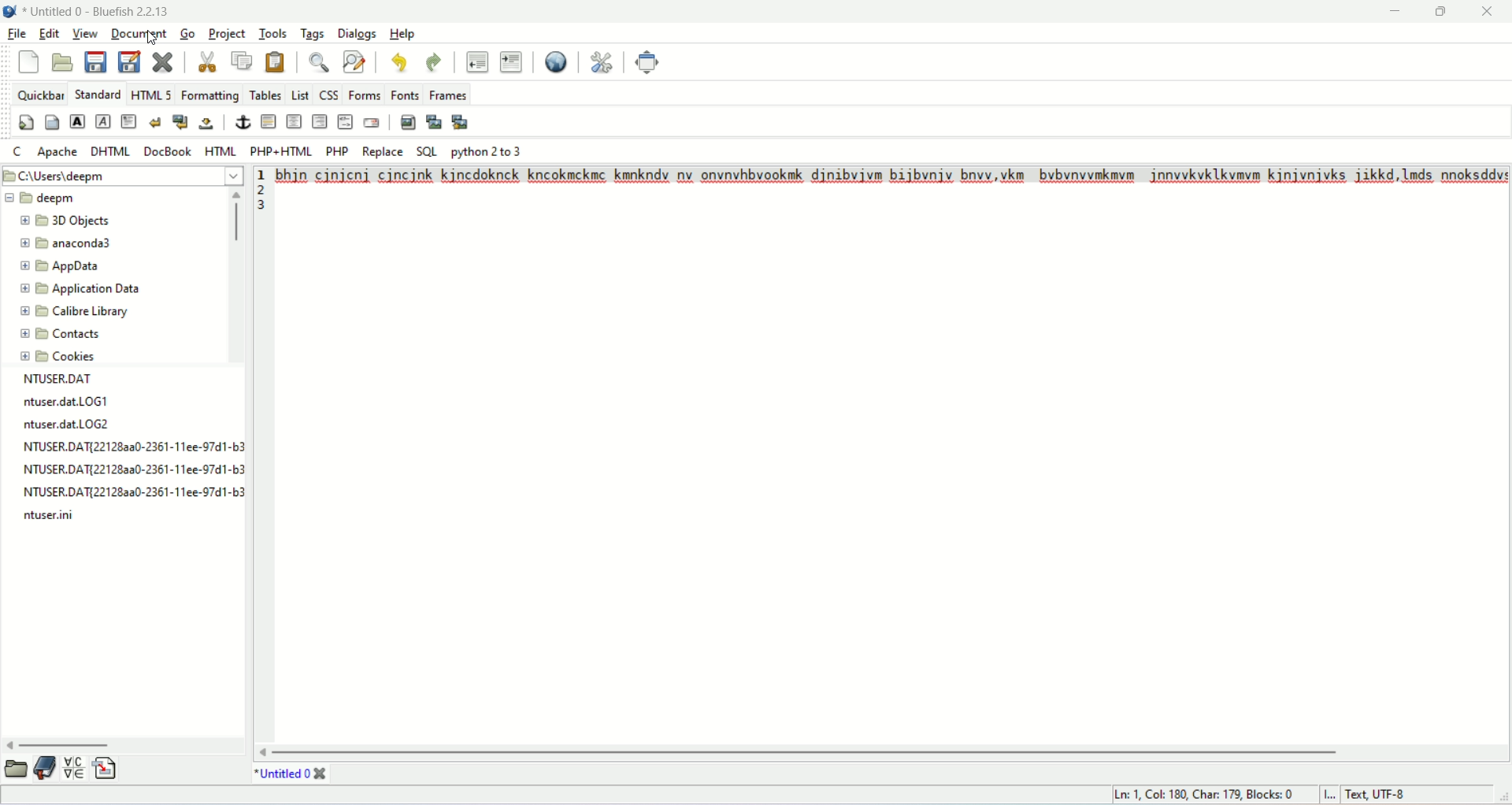  I want to click on tables, so click(269, 92).